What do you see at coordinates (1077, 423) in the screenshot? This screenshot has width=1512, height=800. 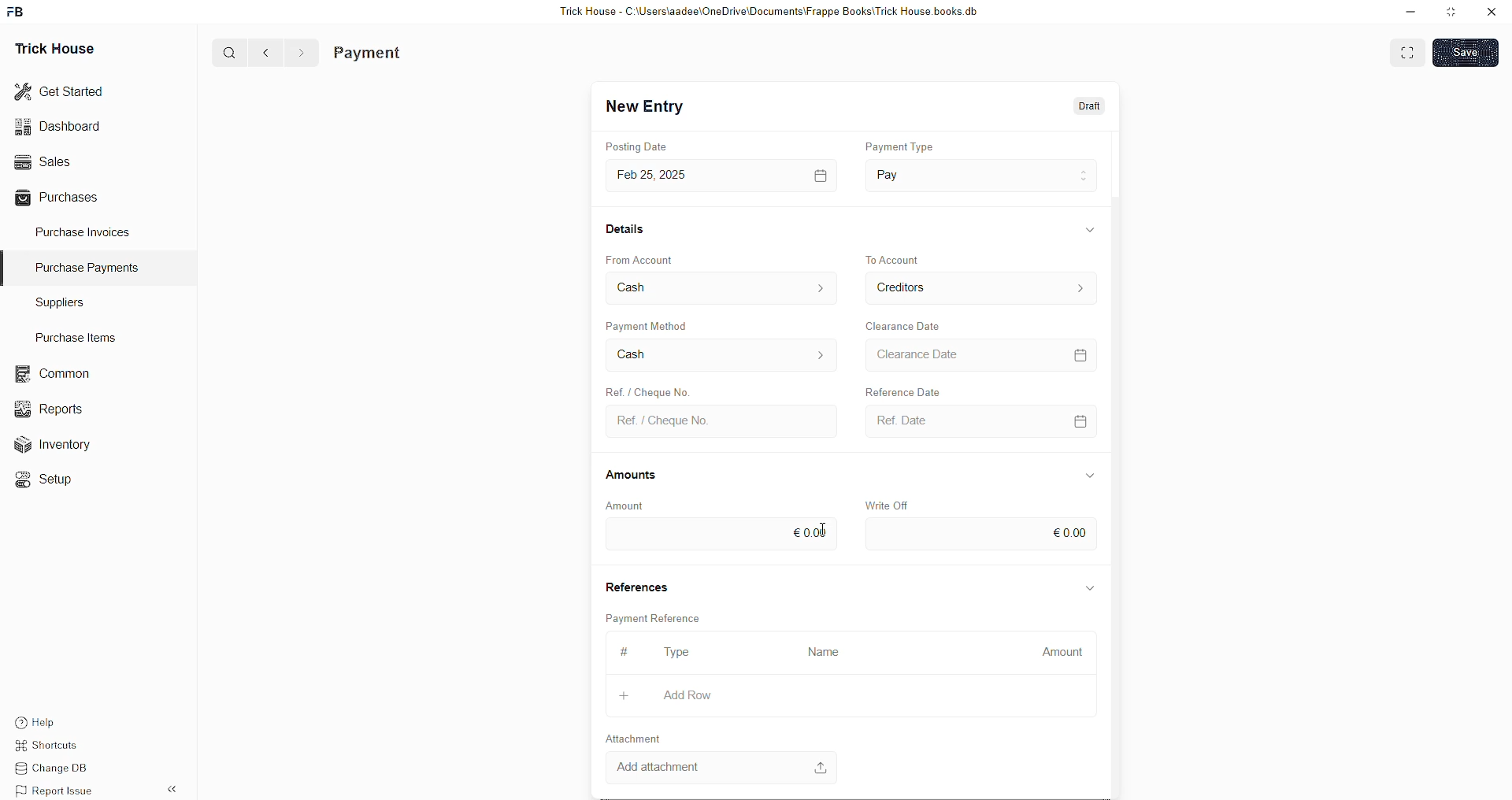 I see `calendar` at bounding box center [1077, 423].